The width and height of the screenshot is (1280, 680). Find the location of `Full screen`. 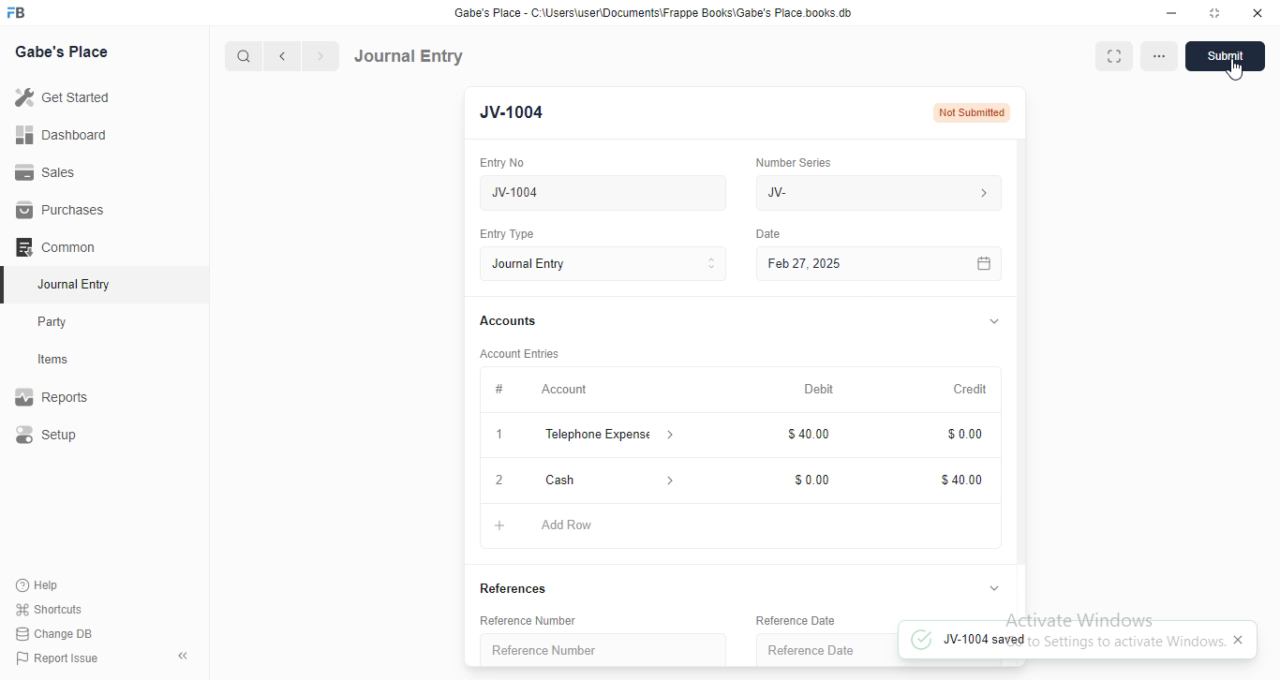

Full screen is located at coordinates (1212, 13).